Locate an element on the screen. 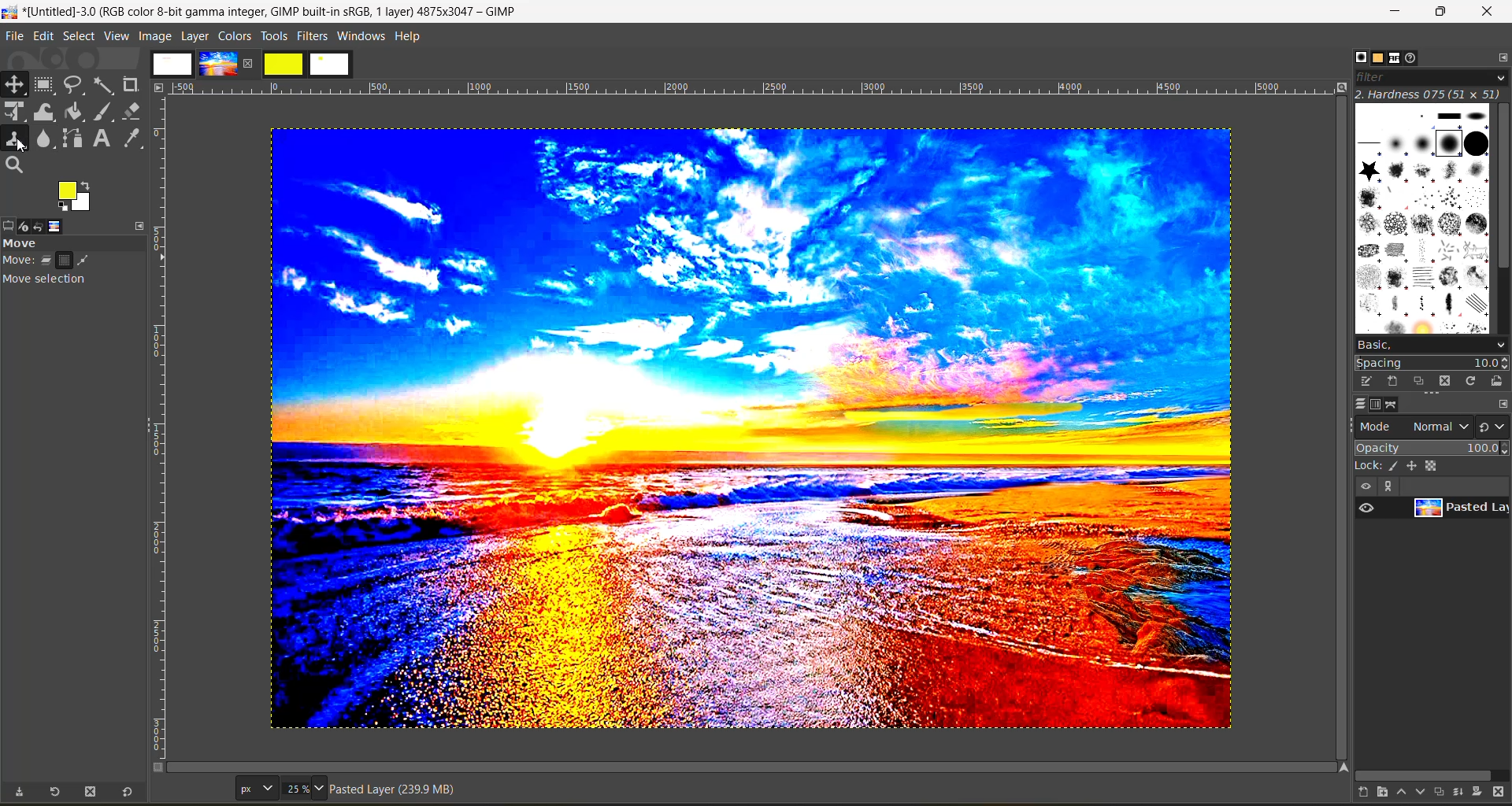  minimize is located at coordinates (1399, 12).